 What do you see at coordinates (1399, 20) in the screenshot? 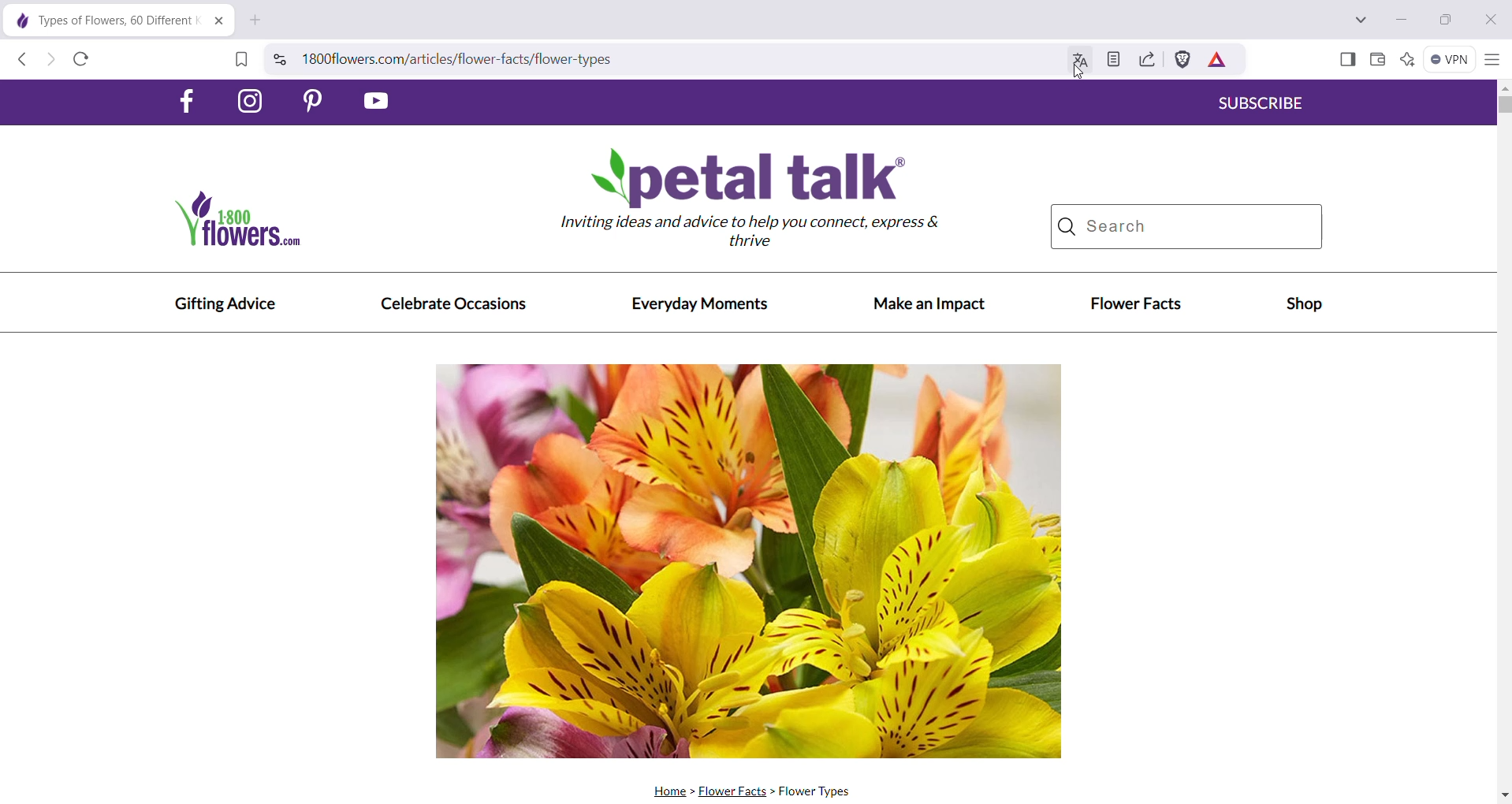
I see `Minimize` at bounding box center [1399, 20].